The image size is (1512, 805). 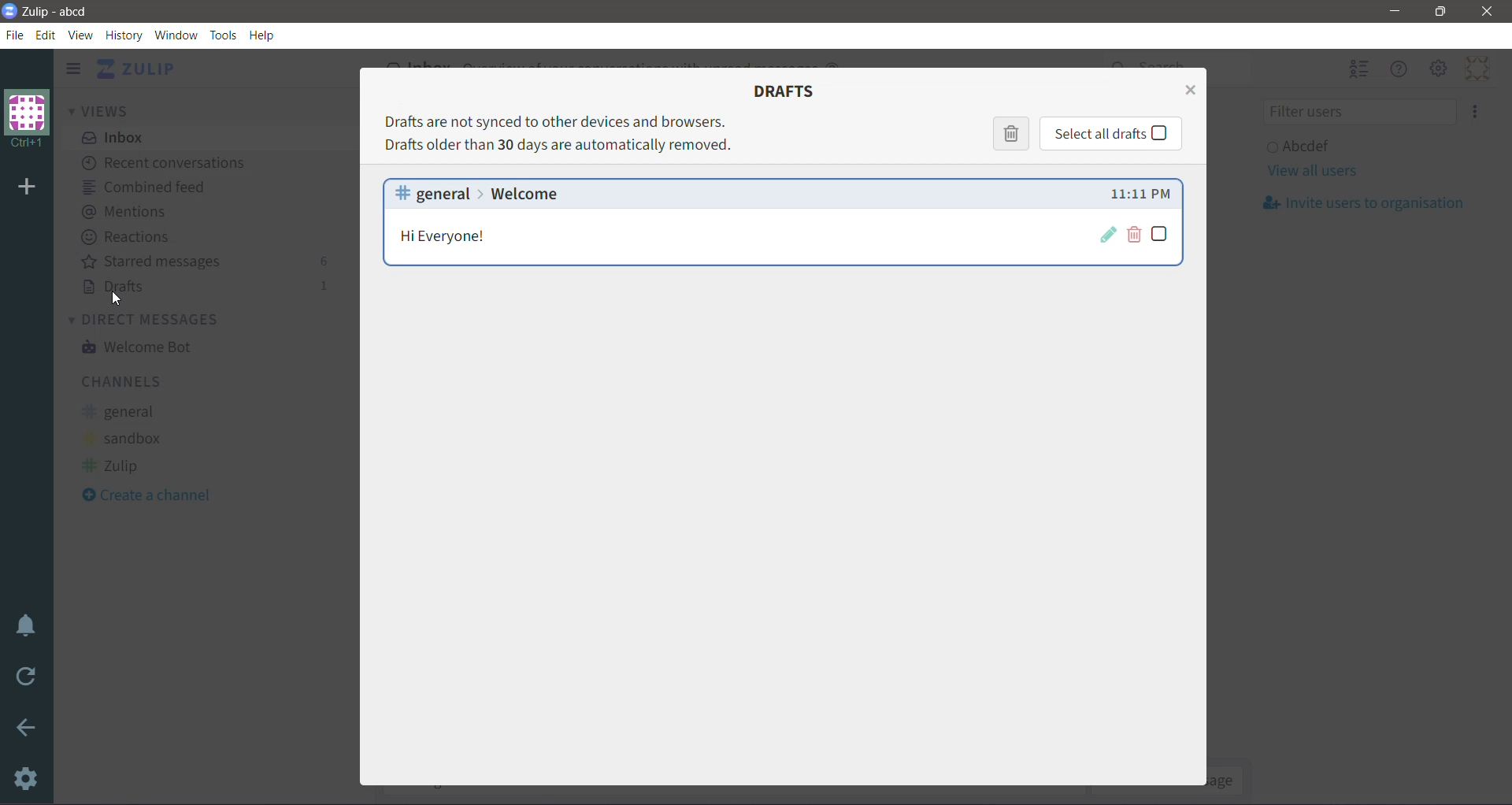 I want to click on Drafts are not synched to other devices and browsers, so click(x=573, y=121).